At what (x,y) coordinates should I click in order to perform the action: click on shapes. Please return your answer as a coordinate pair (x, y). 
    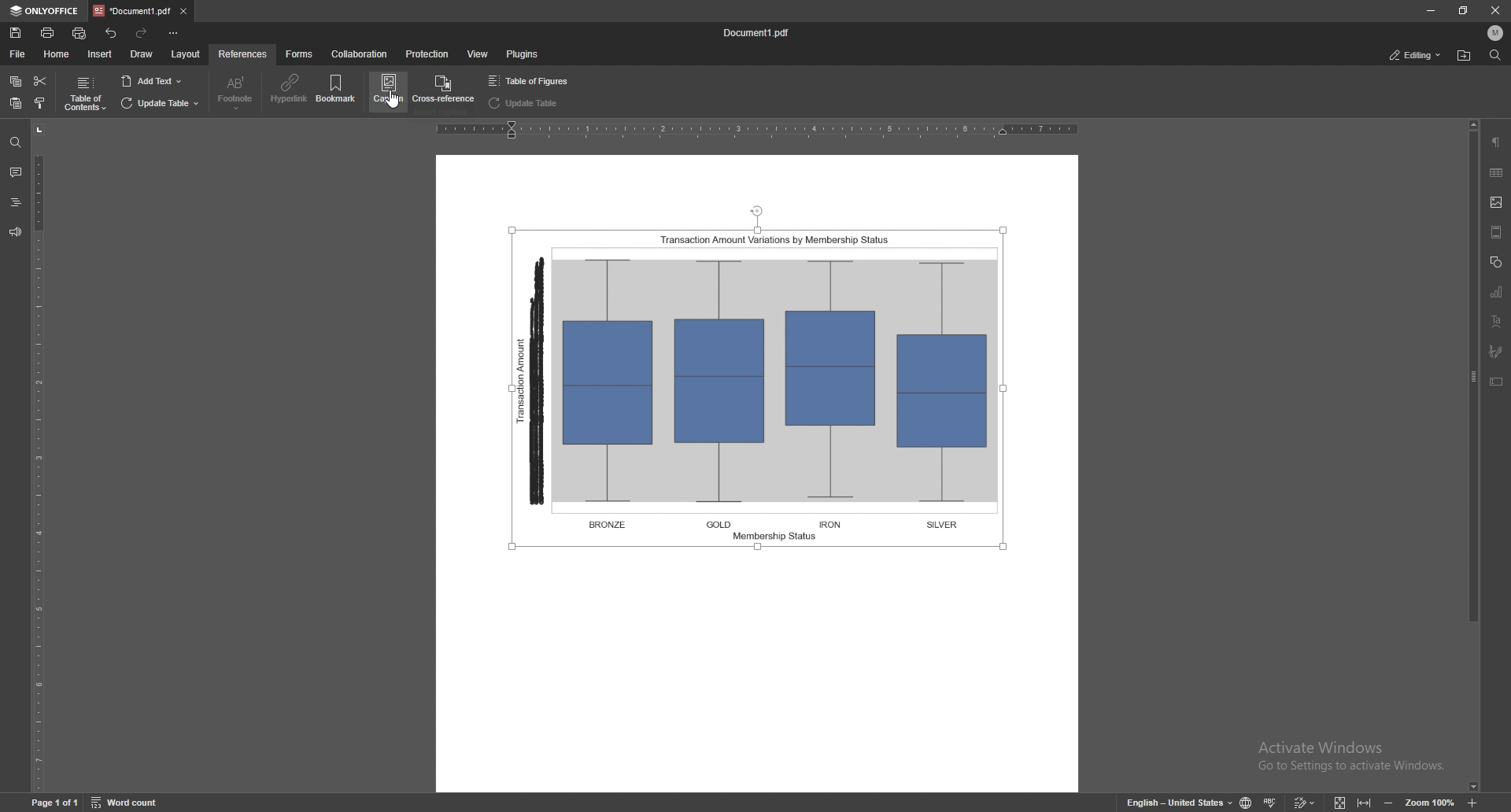
    Looking at the image, I should click on (1495, 261).